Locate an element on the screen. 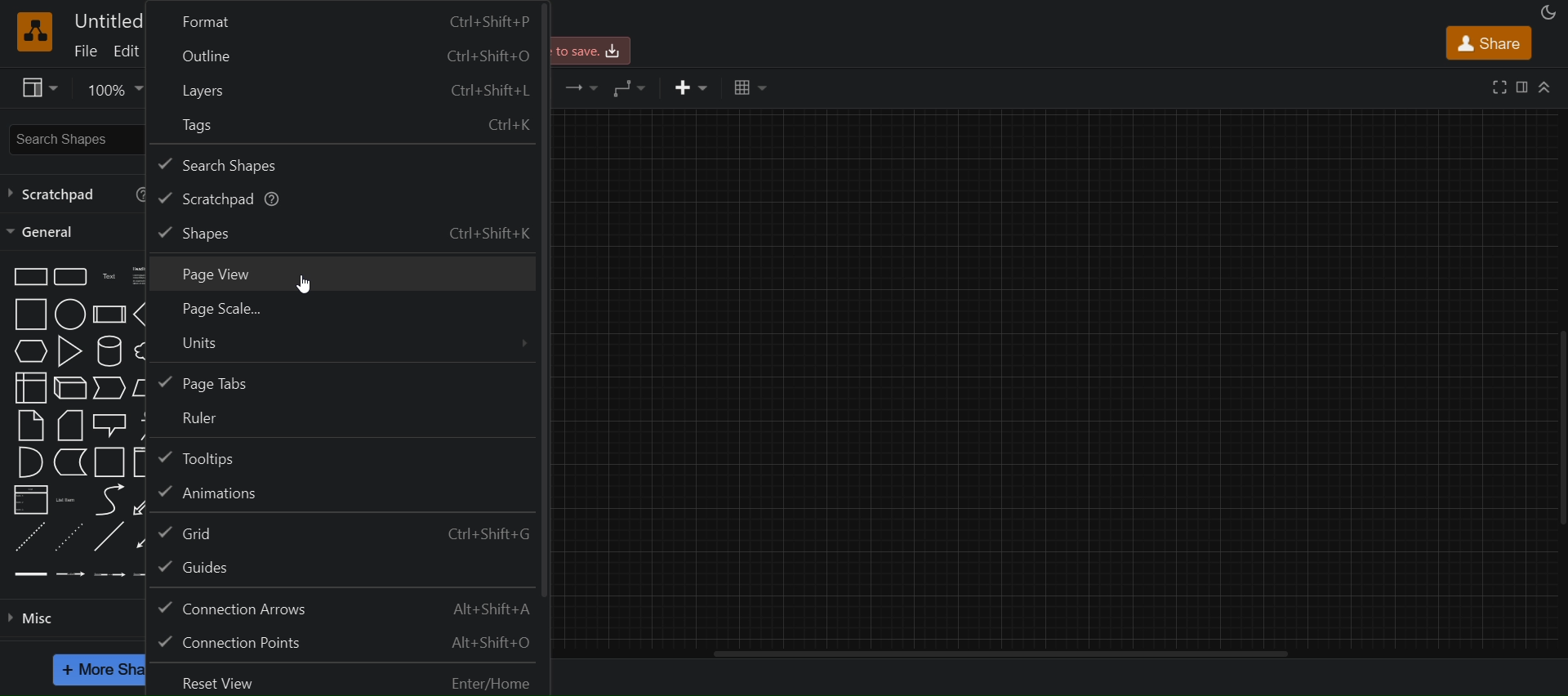 The width and height of the screenshot is (1568, 696). edit is located at coordinates (126, 51).